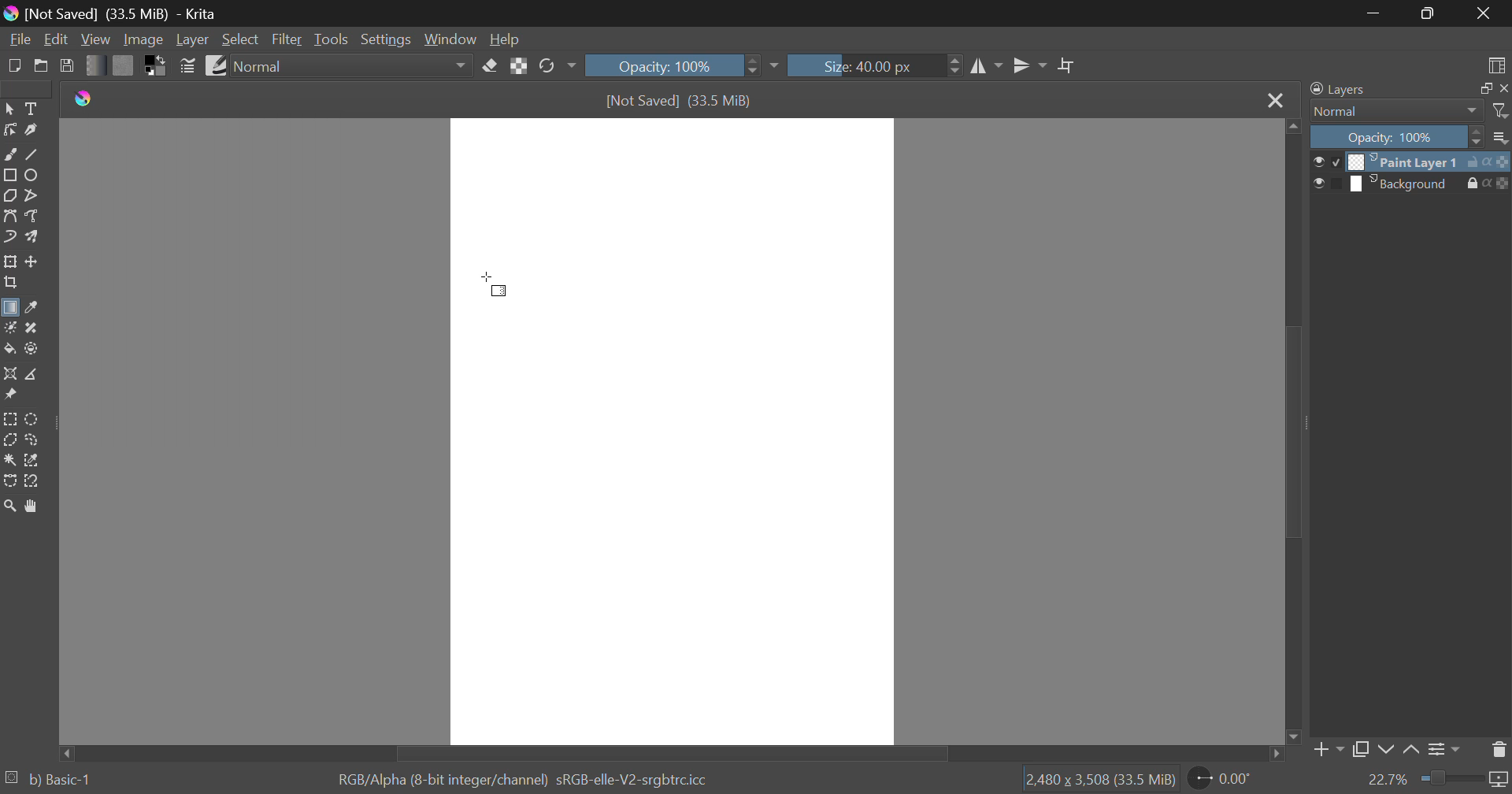 The image size is (1512, 794). I want to click on Choose Workspace, so click(1494, 62).